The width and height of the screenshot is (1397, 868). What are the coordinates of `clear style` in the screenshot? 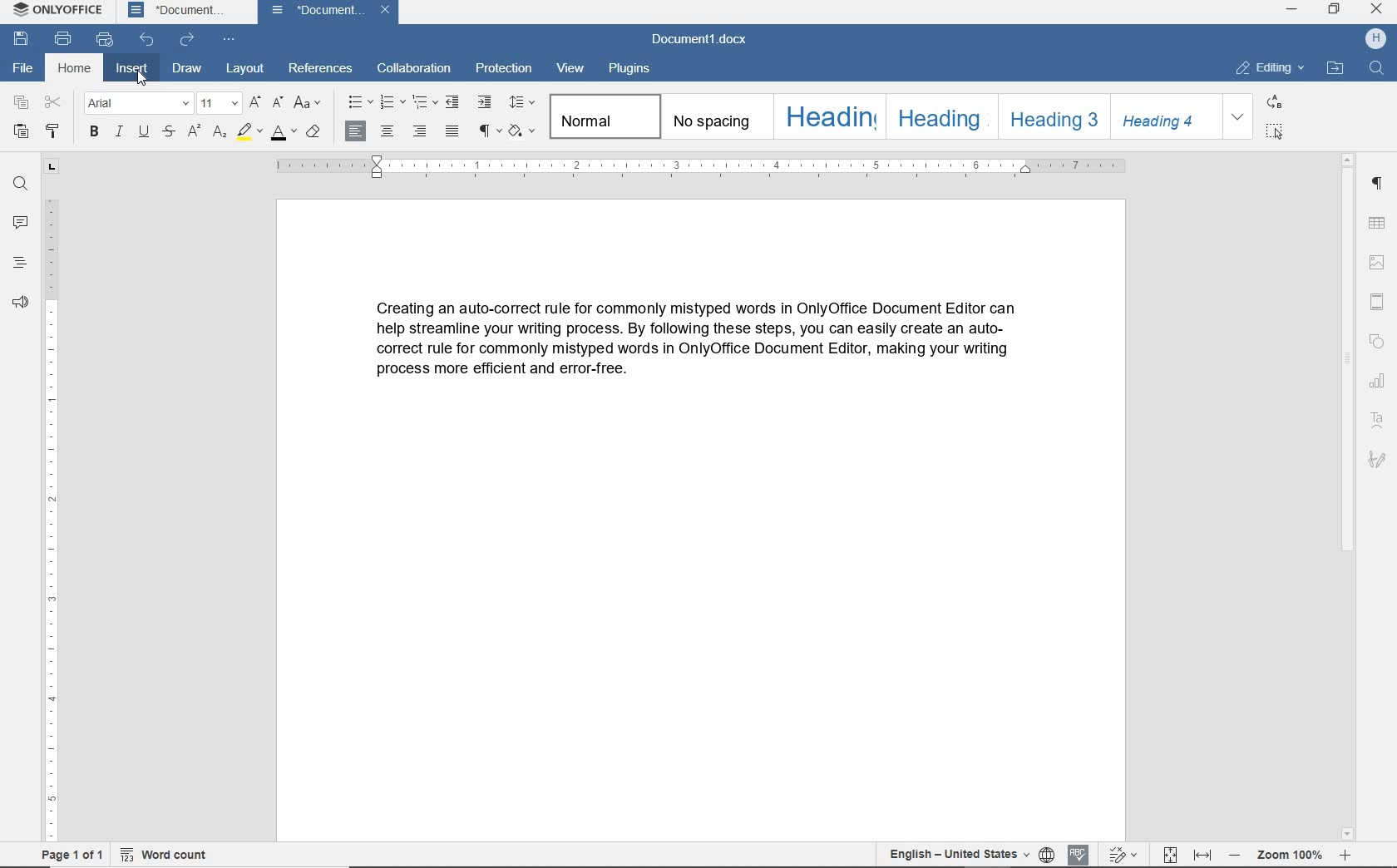 It's located at (314, 132).